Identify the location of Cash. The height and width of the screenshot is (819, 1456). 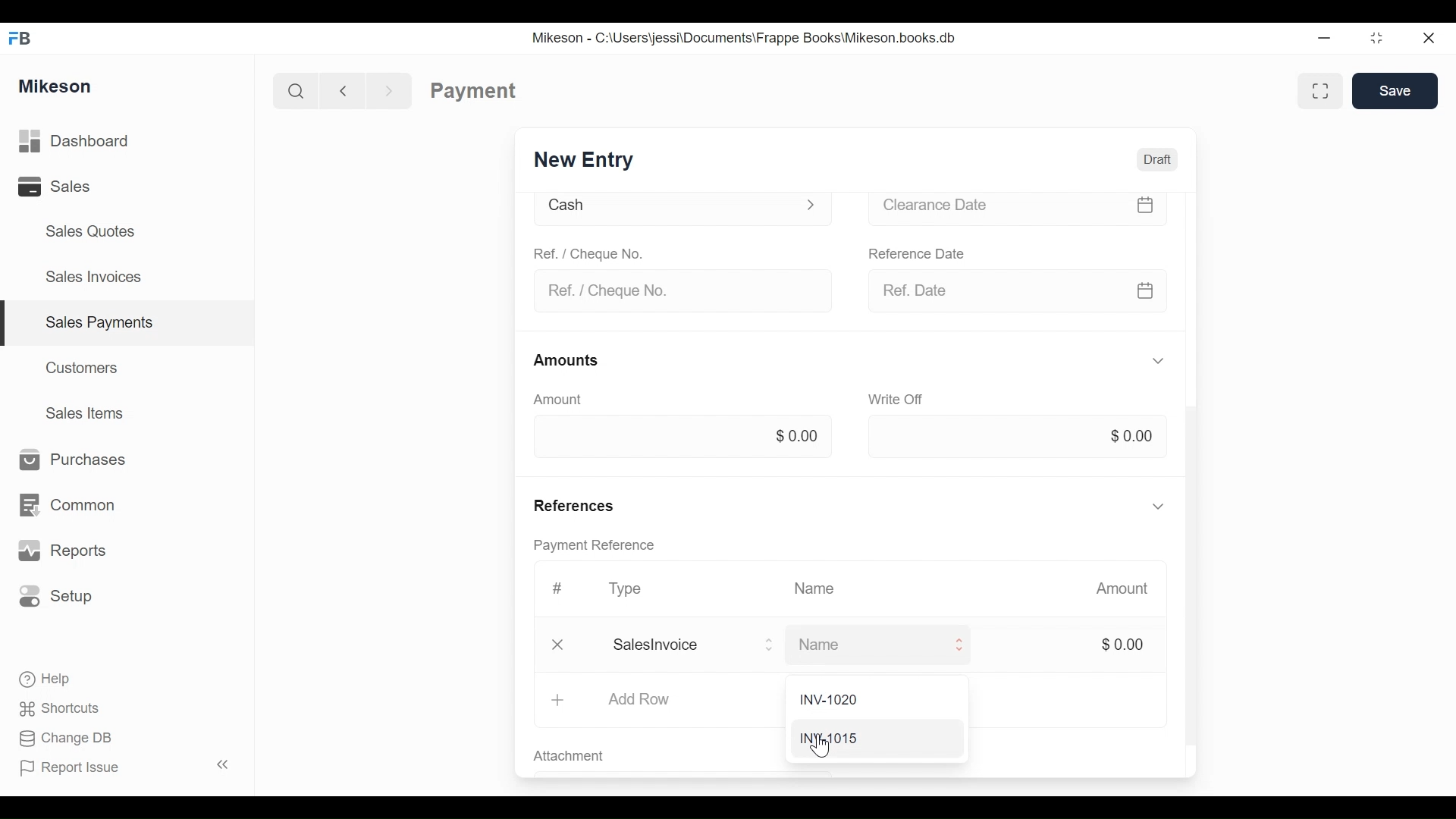
(676, 209).